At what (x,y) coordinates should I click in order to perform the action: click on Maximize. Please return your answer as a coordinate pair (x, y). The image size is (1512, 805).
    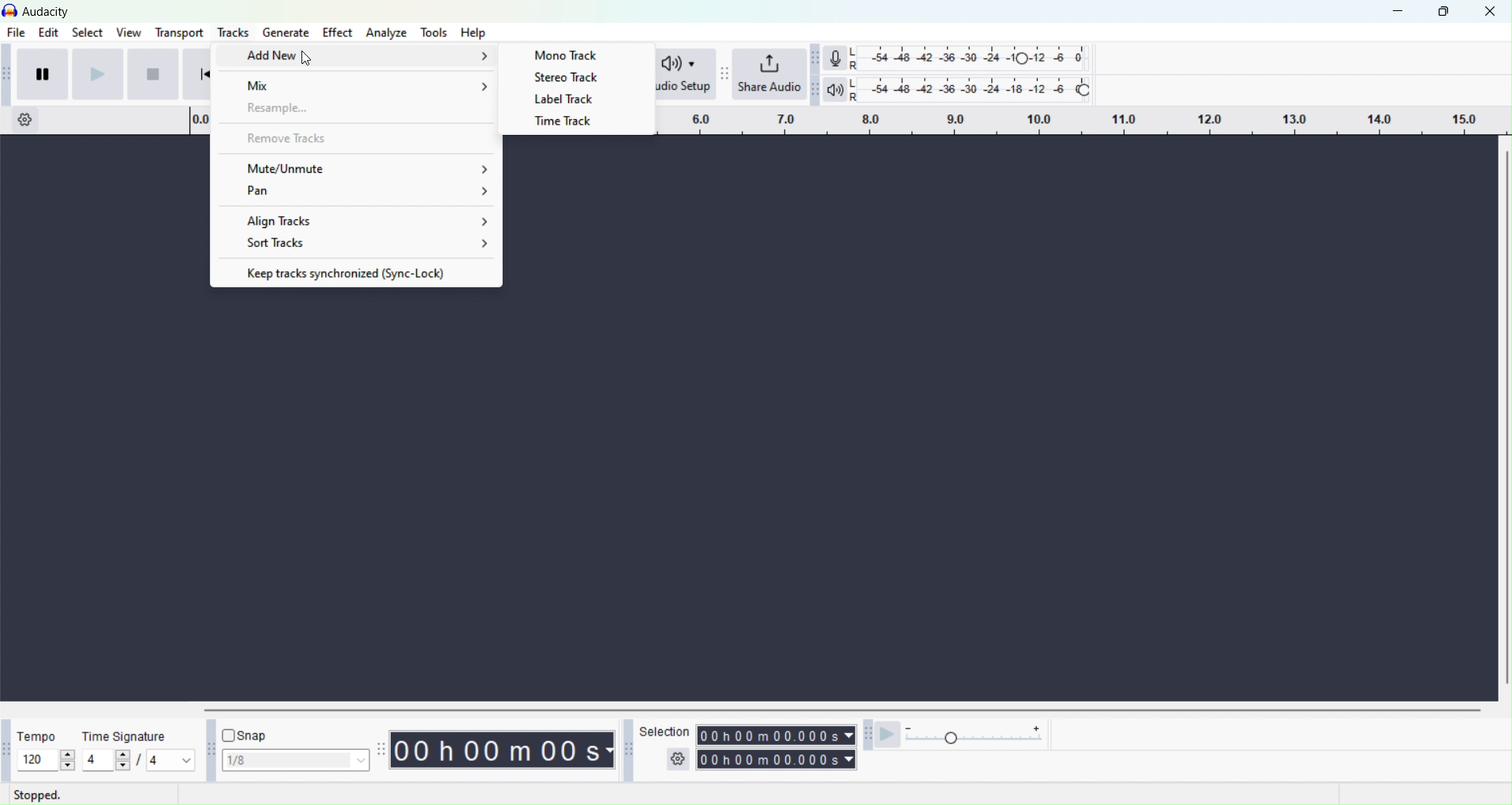
    Looking at the image, I should click on (1446, 13).